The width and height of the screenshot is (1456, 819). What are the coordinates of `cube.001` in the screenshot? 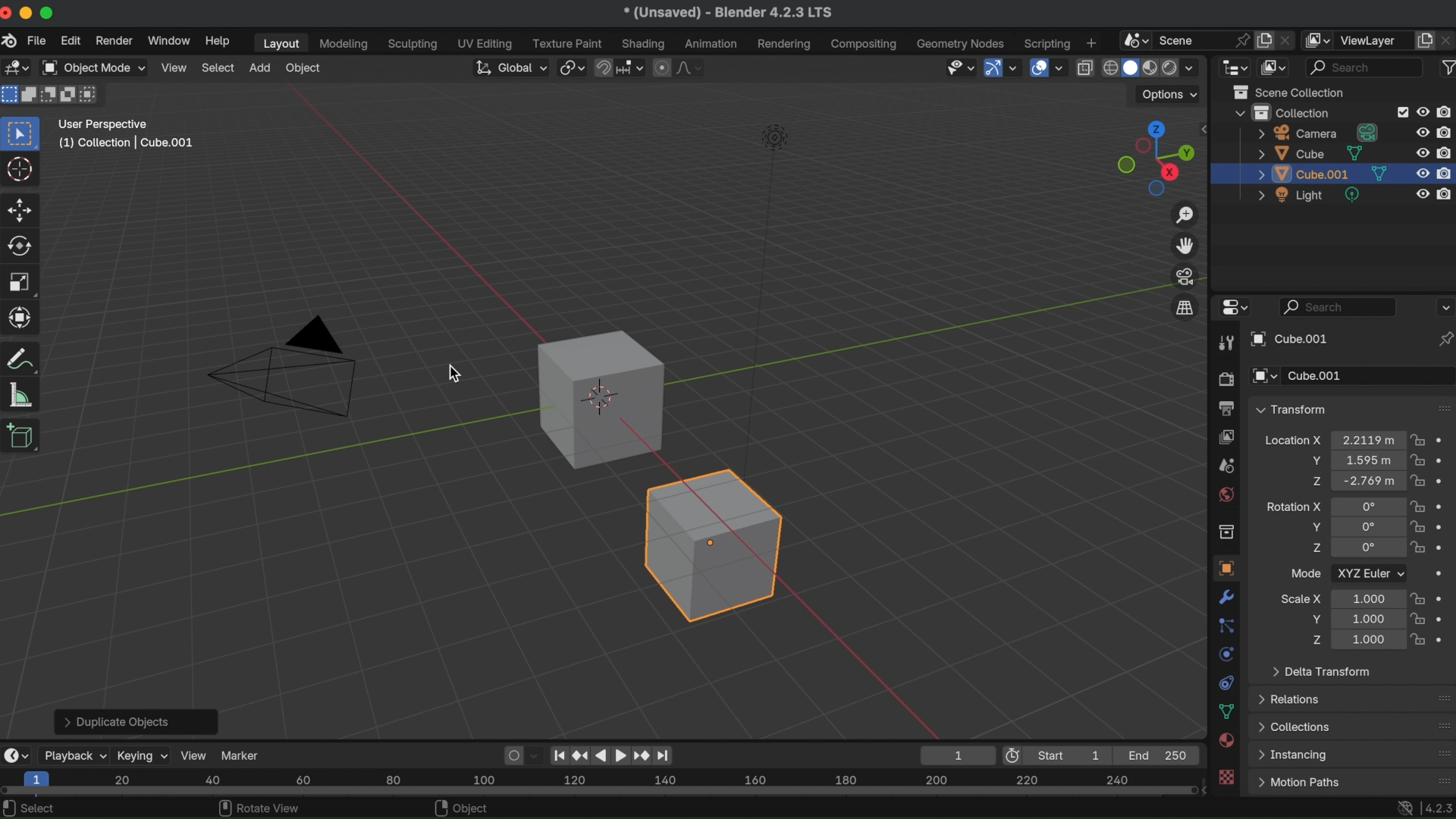 It's located at (1291, 340).